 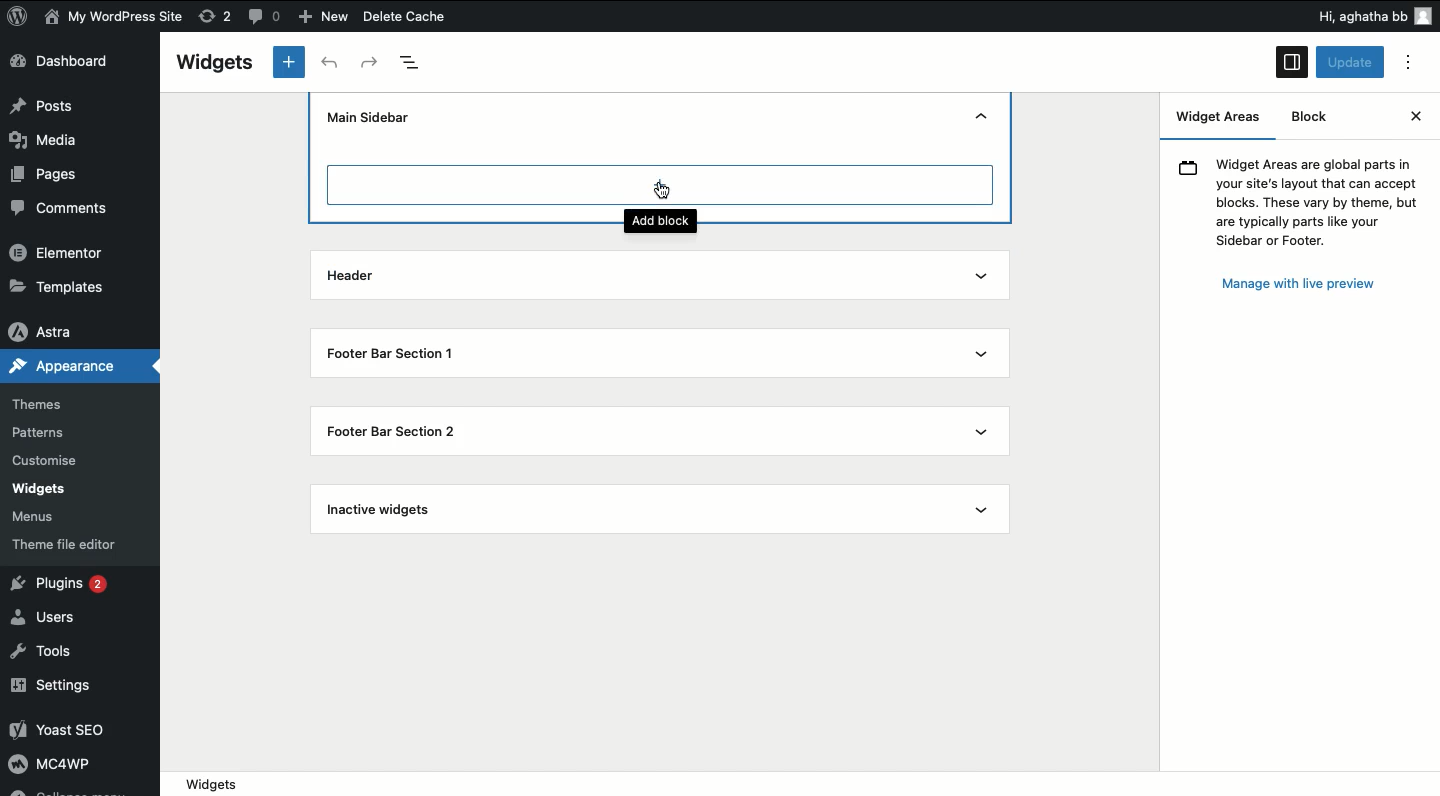 What do you see at coordinates (60, 283) in the screenshot?
I see `»Templates` at bounding box center [60, 283].